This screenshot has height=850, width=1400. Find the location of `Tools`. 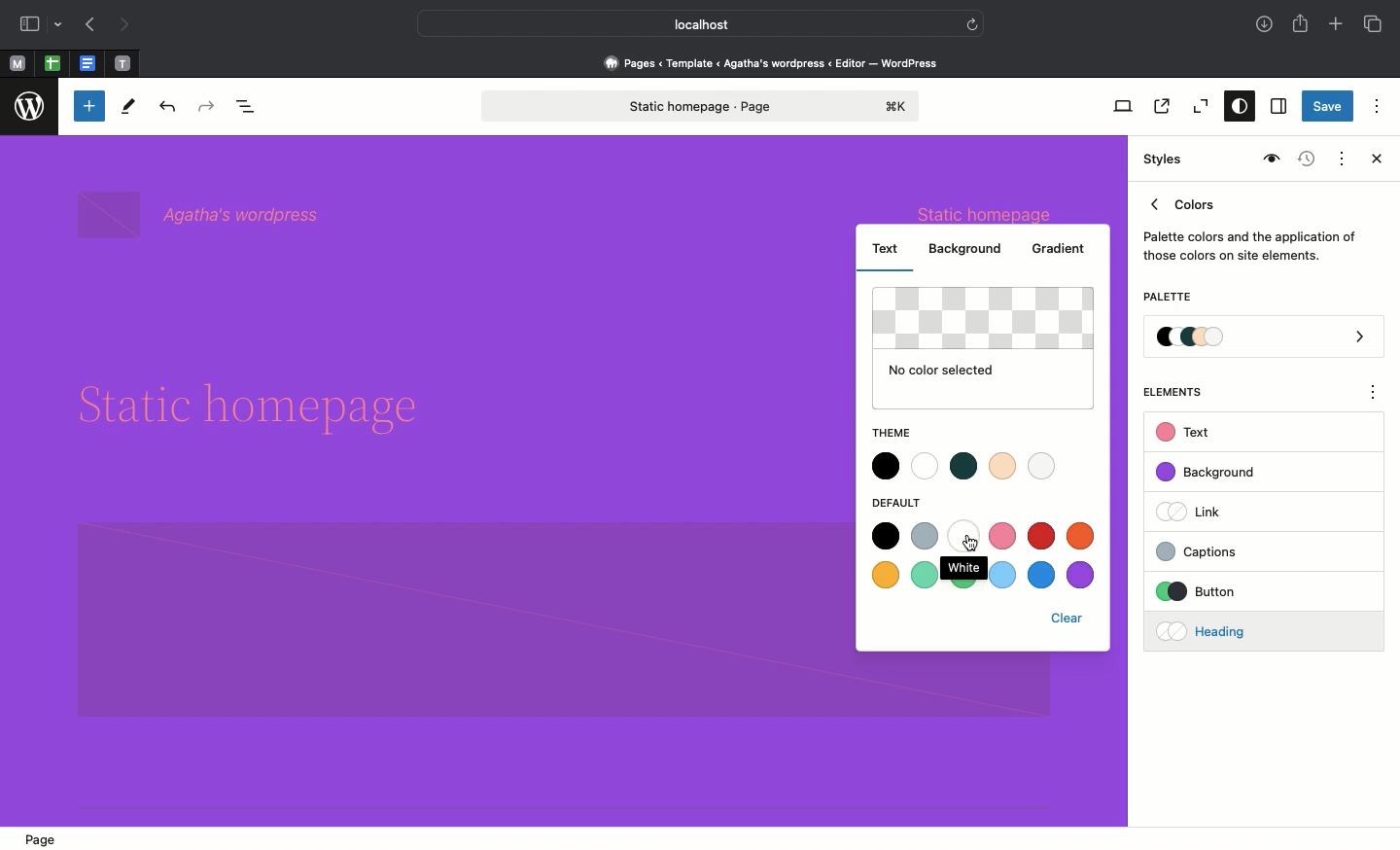

Tools is located at coordinates (129, 111).